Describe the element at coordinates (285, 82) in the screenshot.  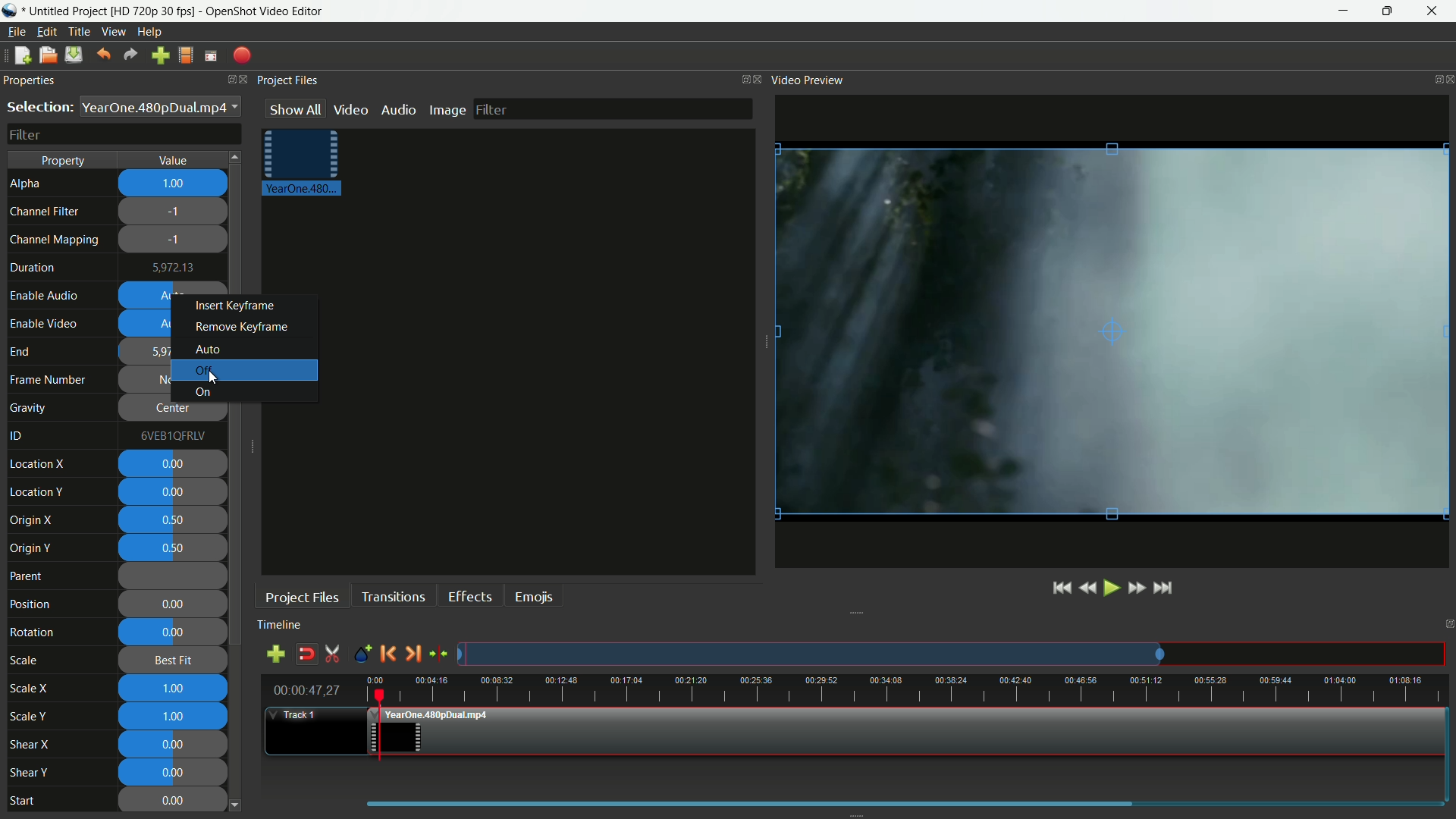
I see `project Files` at that location.